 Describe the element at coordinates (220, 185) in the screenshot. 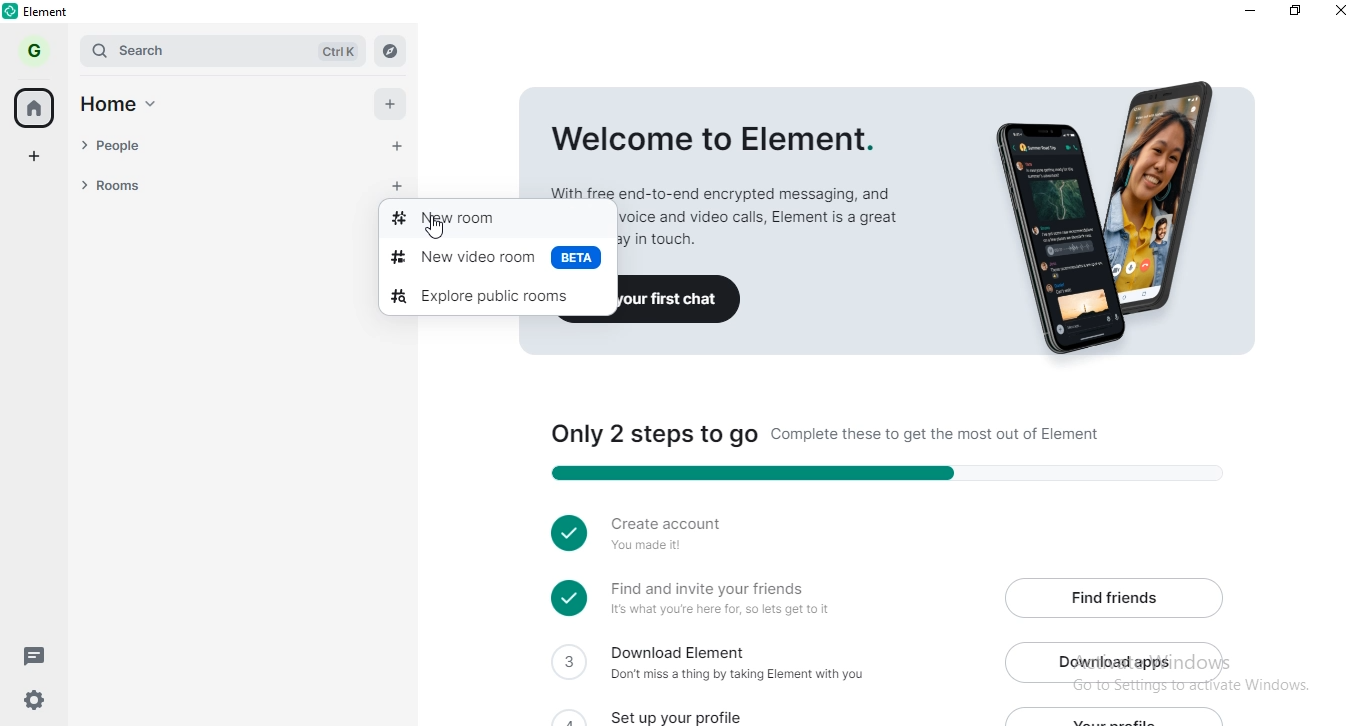

I see `rooms` at that location.